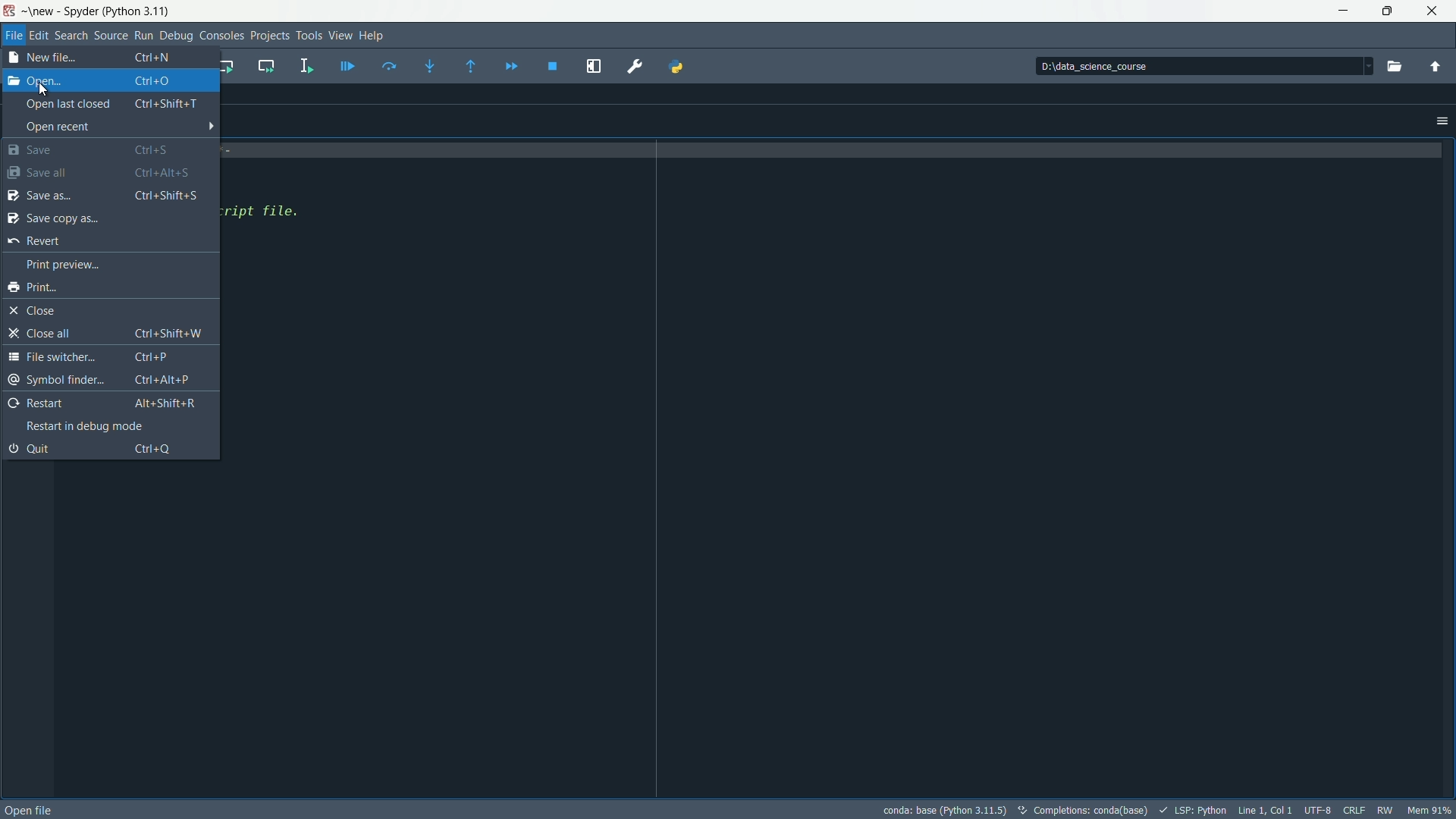 The height and width of the screenshot is (819, 1456). Describe the element at coordinates (143, 36) in the screenshot. I see `run menu` at that location.